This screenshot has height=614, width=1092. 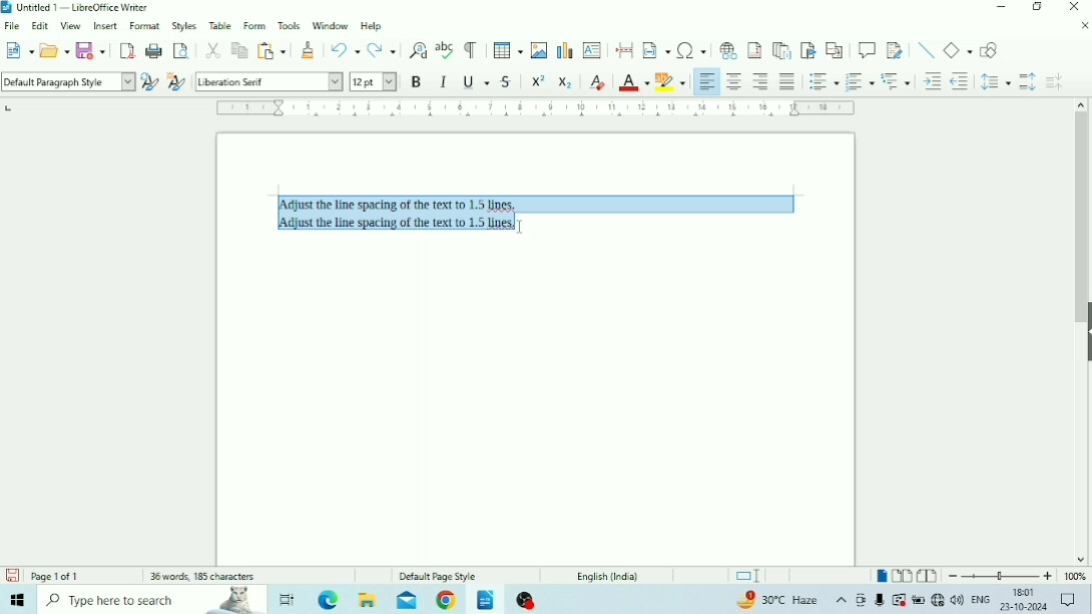 What do you see at coordinates (1001, 7) in the screenshot?
I see `Minimize` at bounding box center [1001, 7].